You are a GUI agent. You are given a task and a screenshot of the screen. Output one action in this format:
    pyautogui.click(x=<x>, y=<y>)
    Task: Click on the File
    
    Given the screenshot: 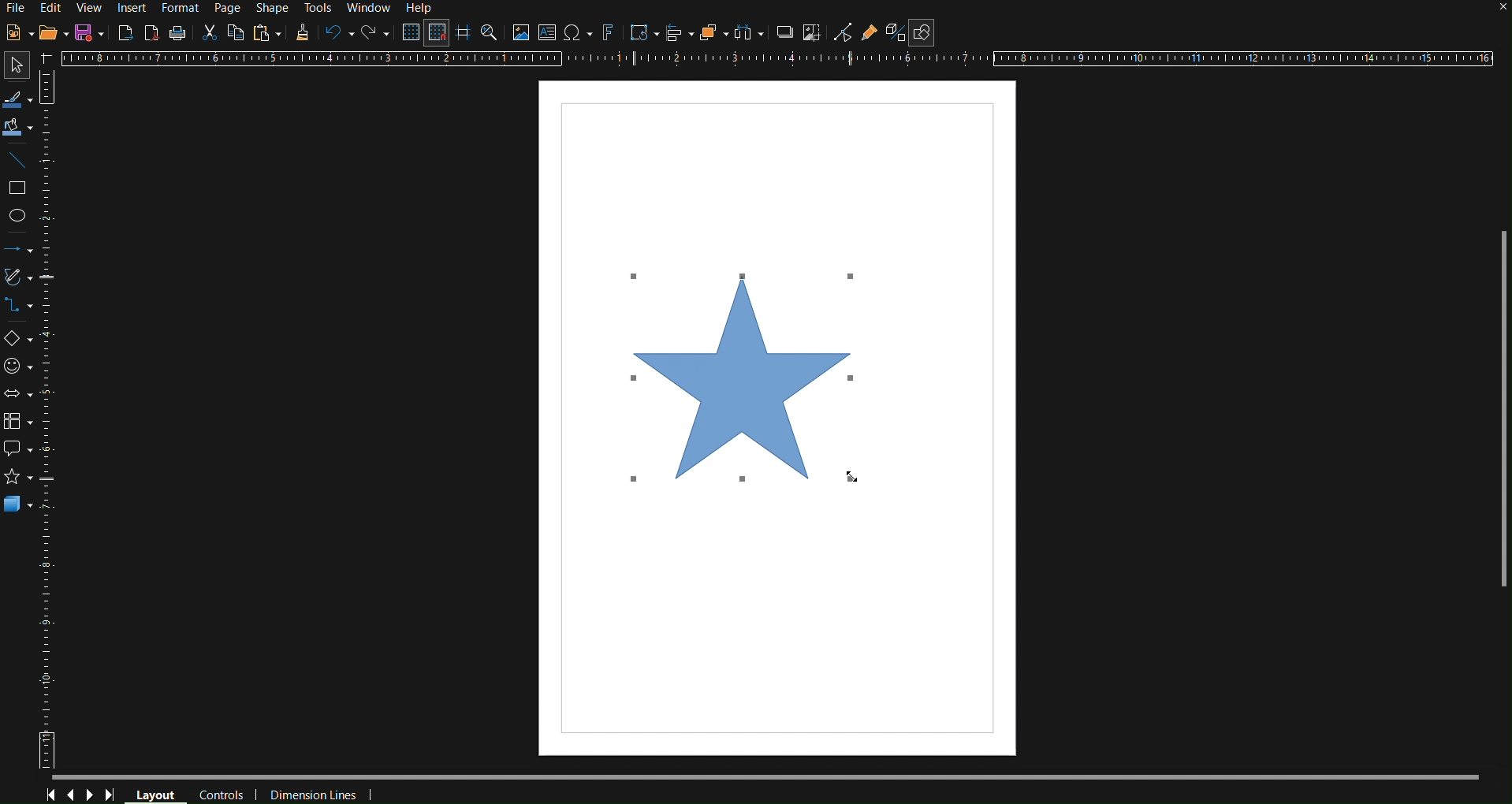 What is the action you would take?
    pyautogui.click(x=18, y=7)
    